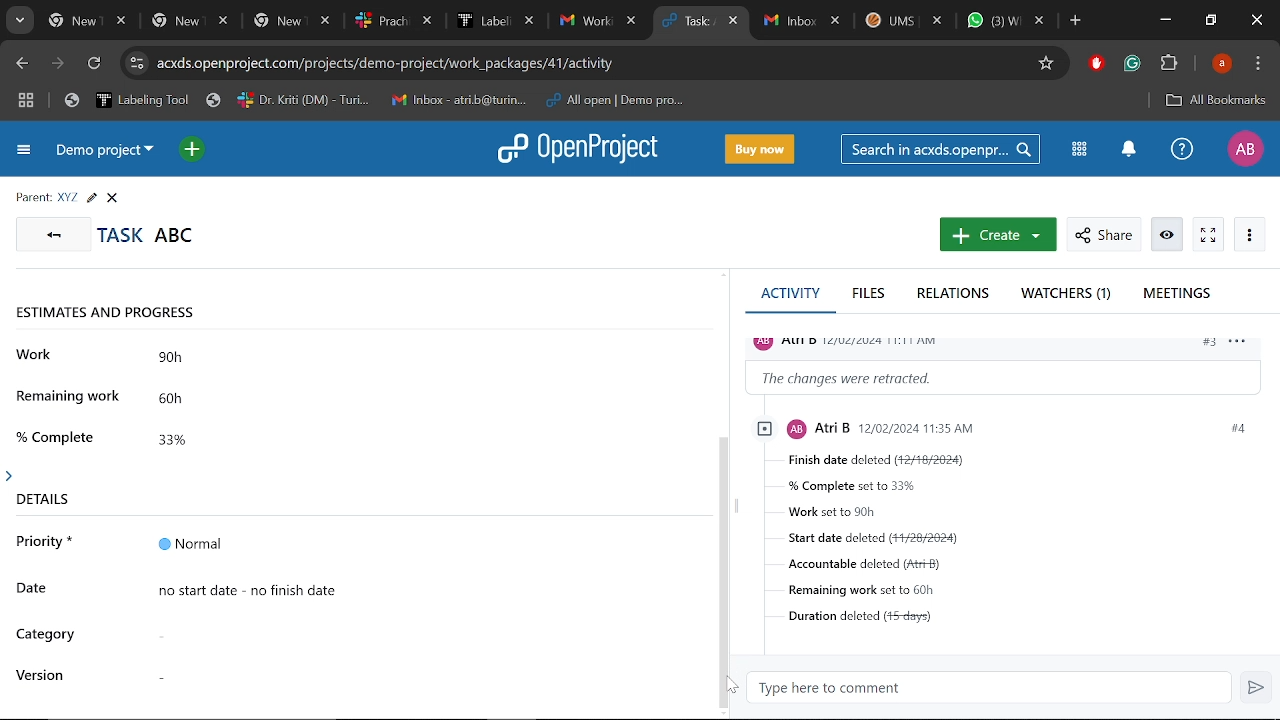 The width and height of the screenshot is (1280, 720). What do you see at coordinates (996, 235) in the screenshot?
I see `New work package` at bounding box center [996, 235].